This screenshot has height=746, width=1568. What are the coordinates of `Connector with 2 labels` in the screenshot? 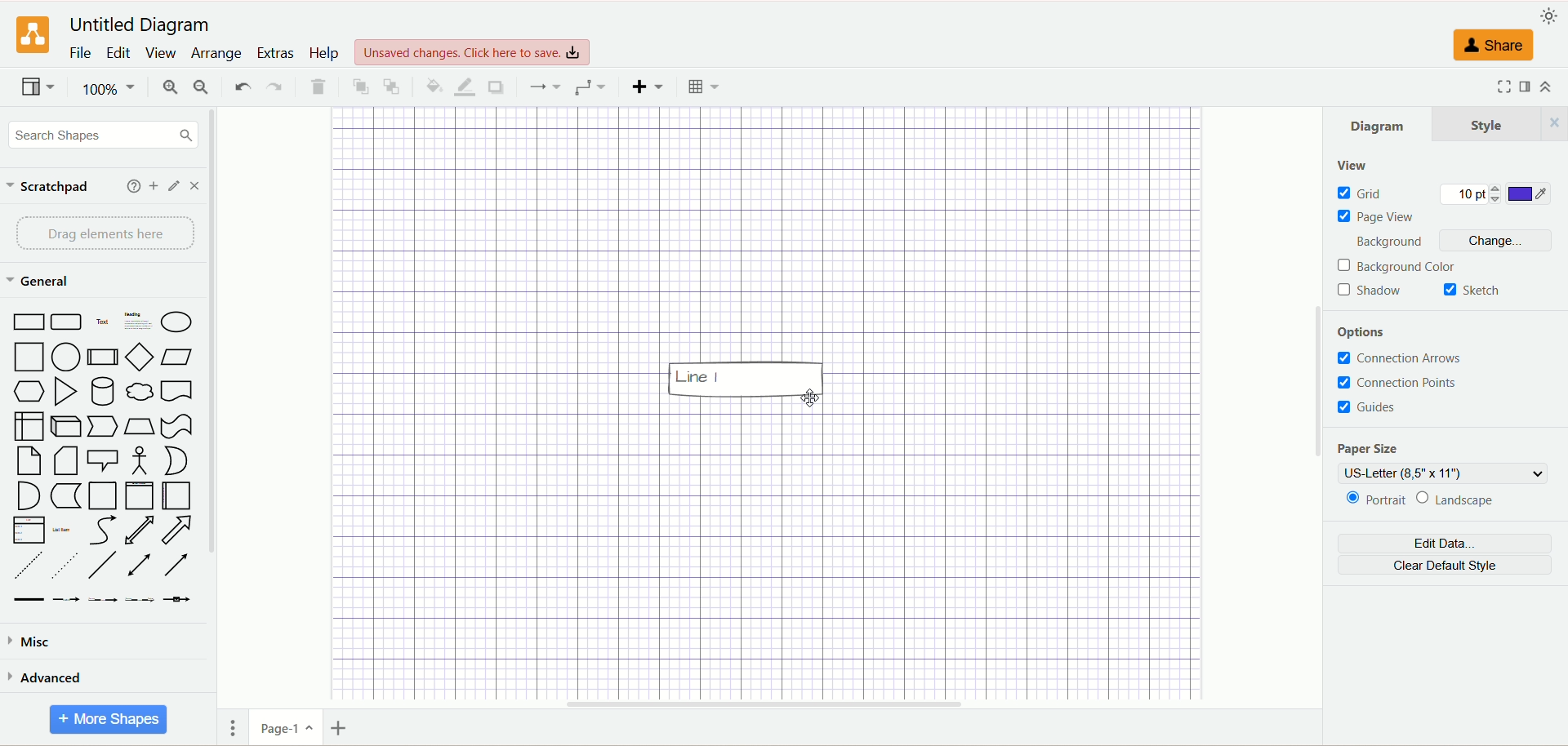 It's located at (100, 601).